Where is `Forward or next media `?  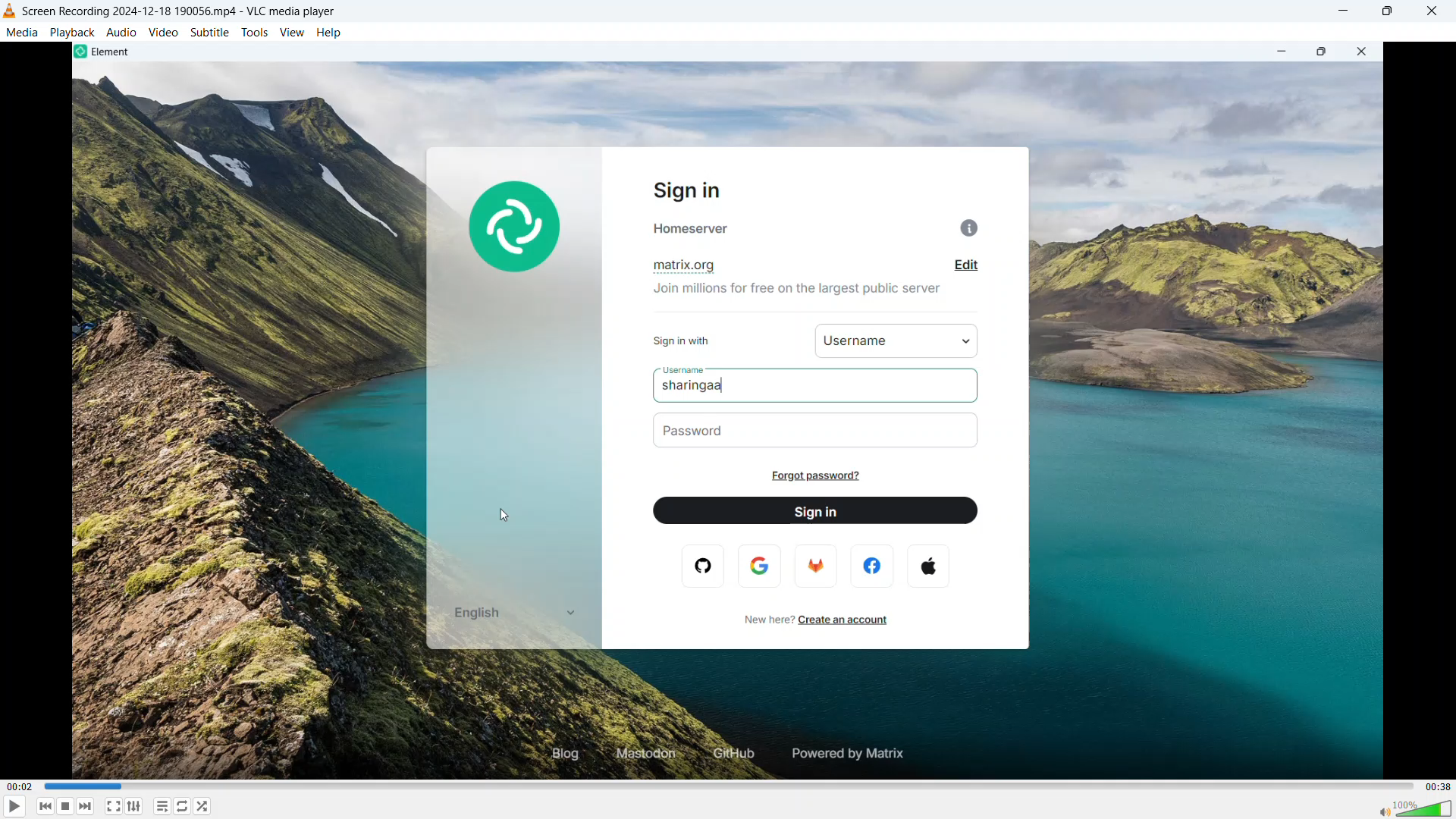 Forward or next media  is located at coordinates (66, 806).